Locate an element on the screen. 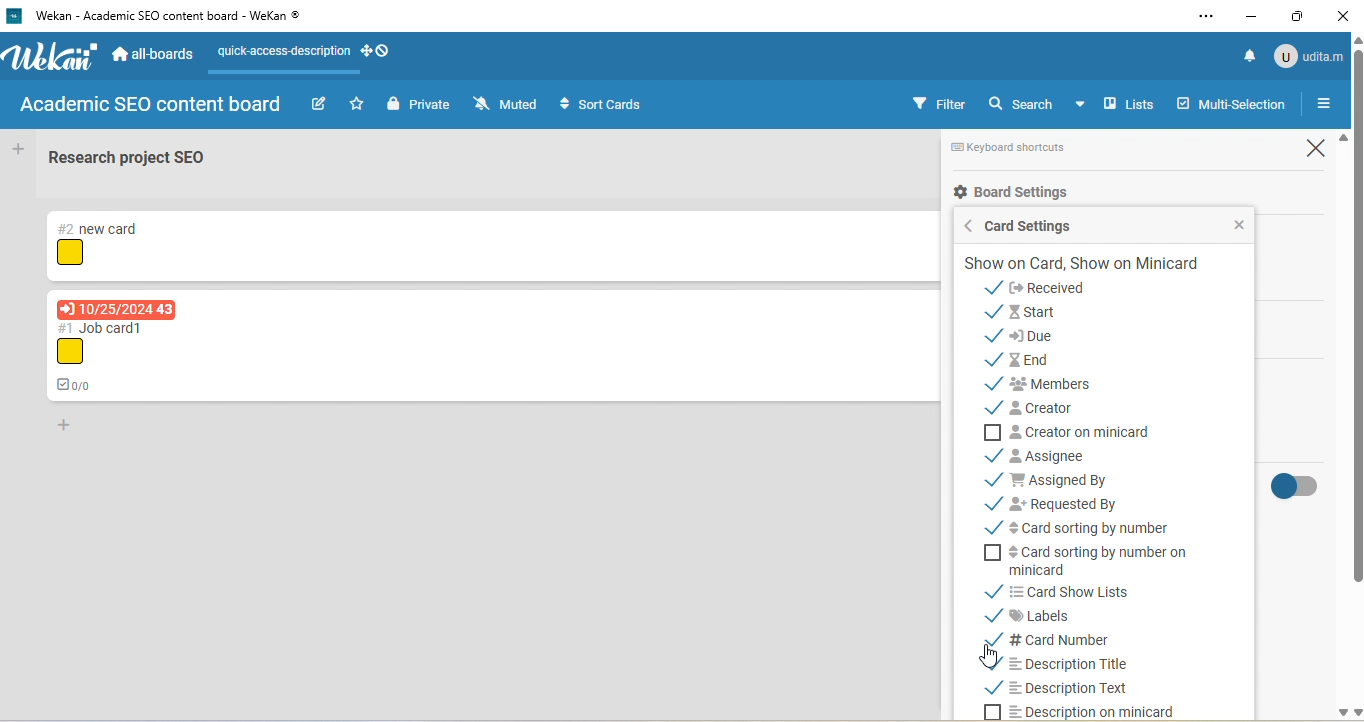 Image resolution: width=1364 pixels, height=722 pixels. line appeared is located at coordinates (293, 73).